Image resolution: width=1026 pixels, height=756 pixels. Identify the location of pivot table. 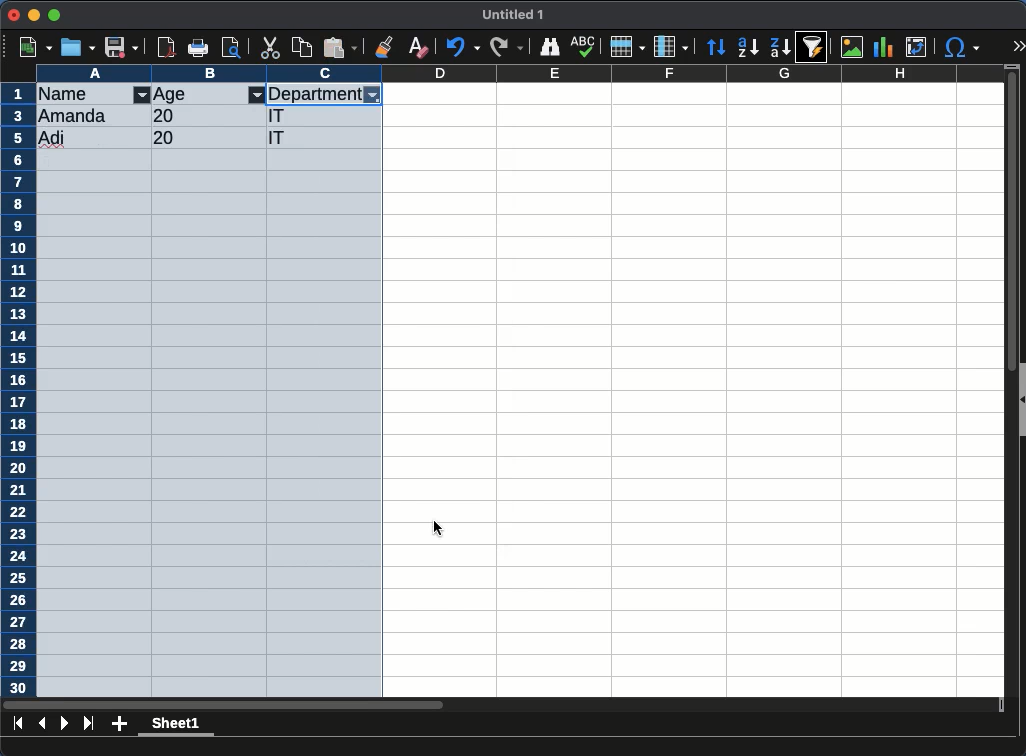
(916, 48).